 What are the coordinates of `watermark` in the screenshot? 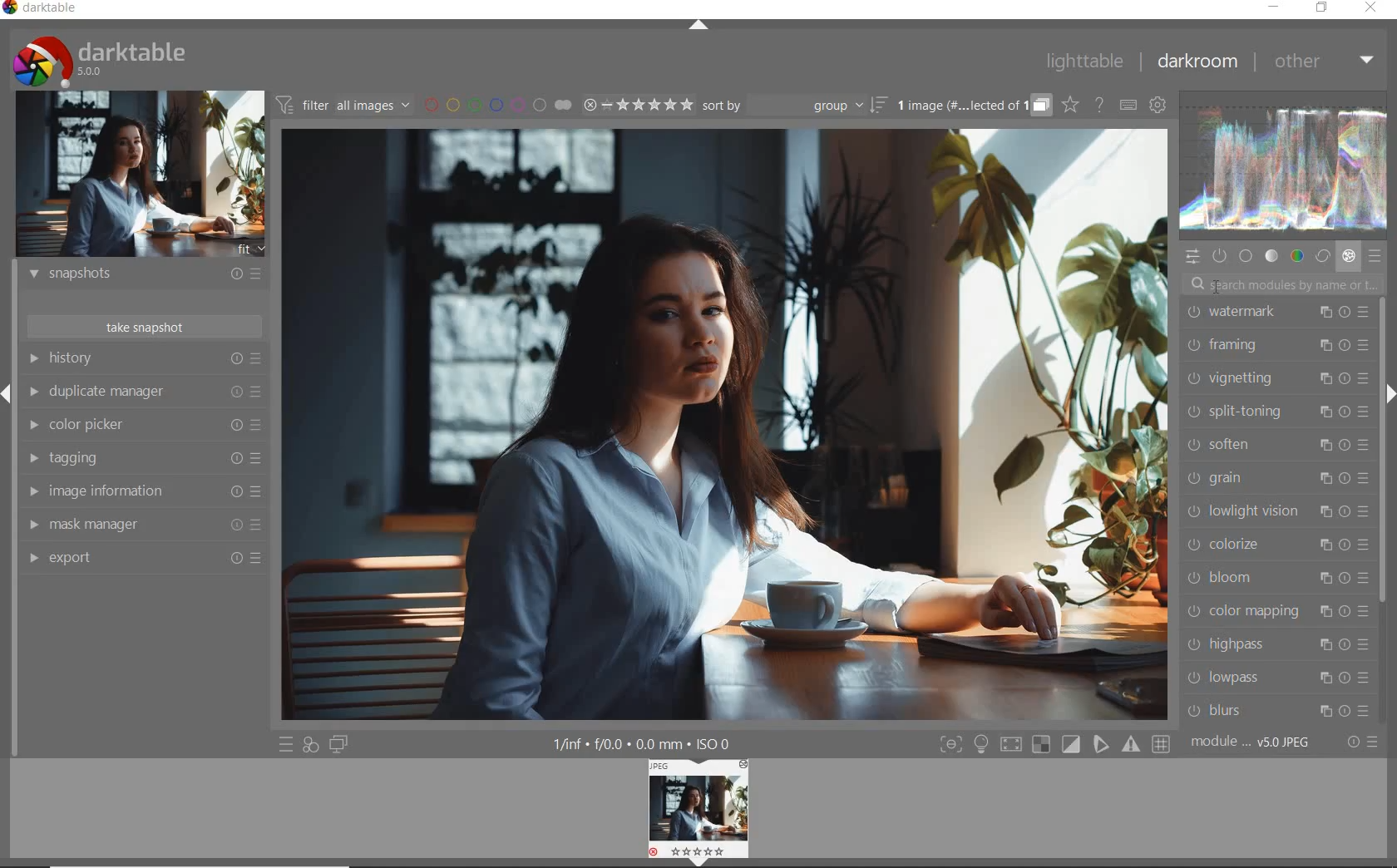 It's located at (1275, 316).